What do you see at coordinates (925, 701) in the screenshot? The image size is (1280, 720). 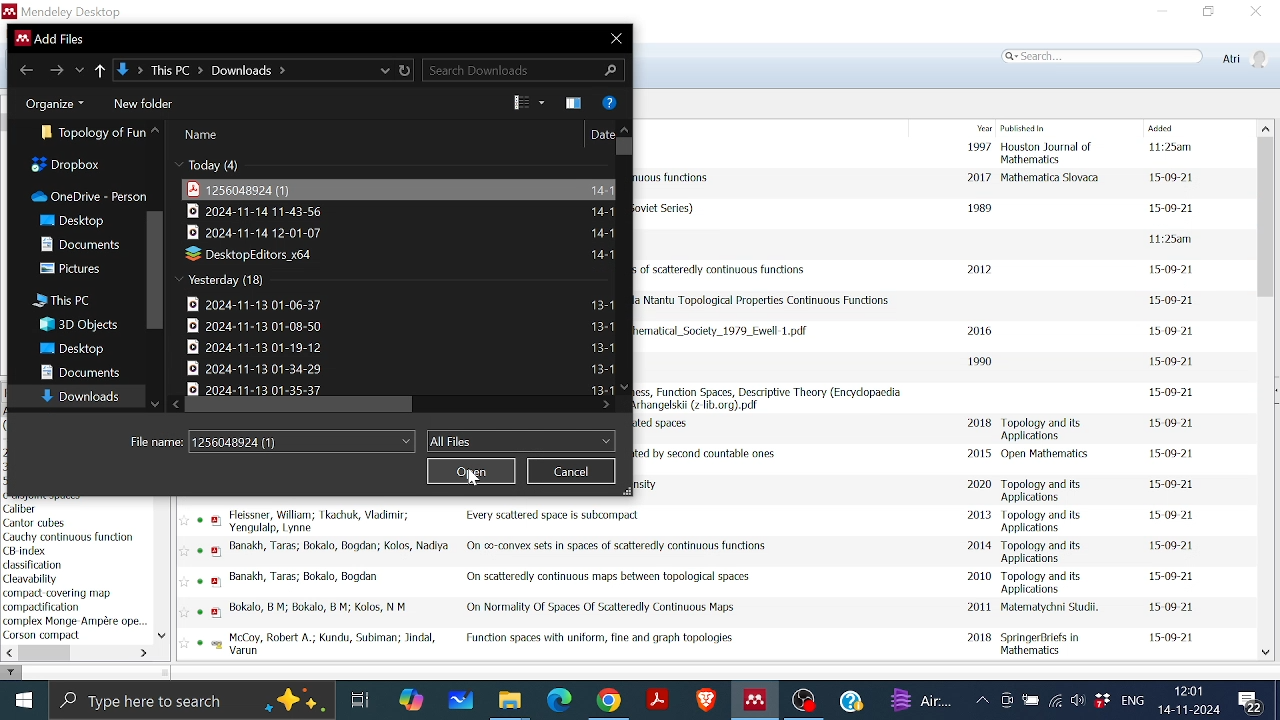 I see `weather` at bounding box center [925, 701].